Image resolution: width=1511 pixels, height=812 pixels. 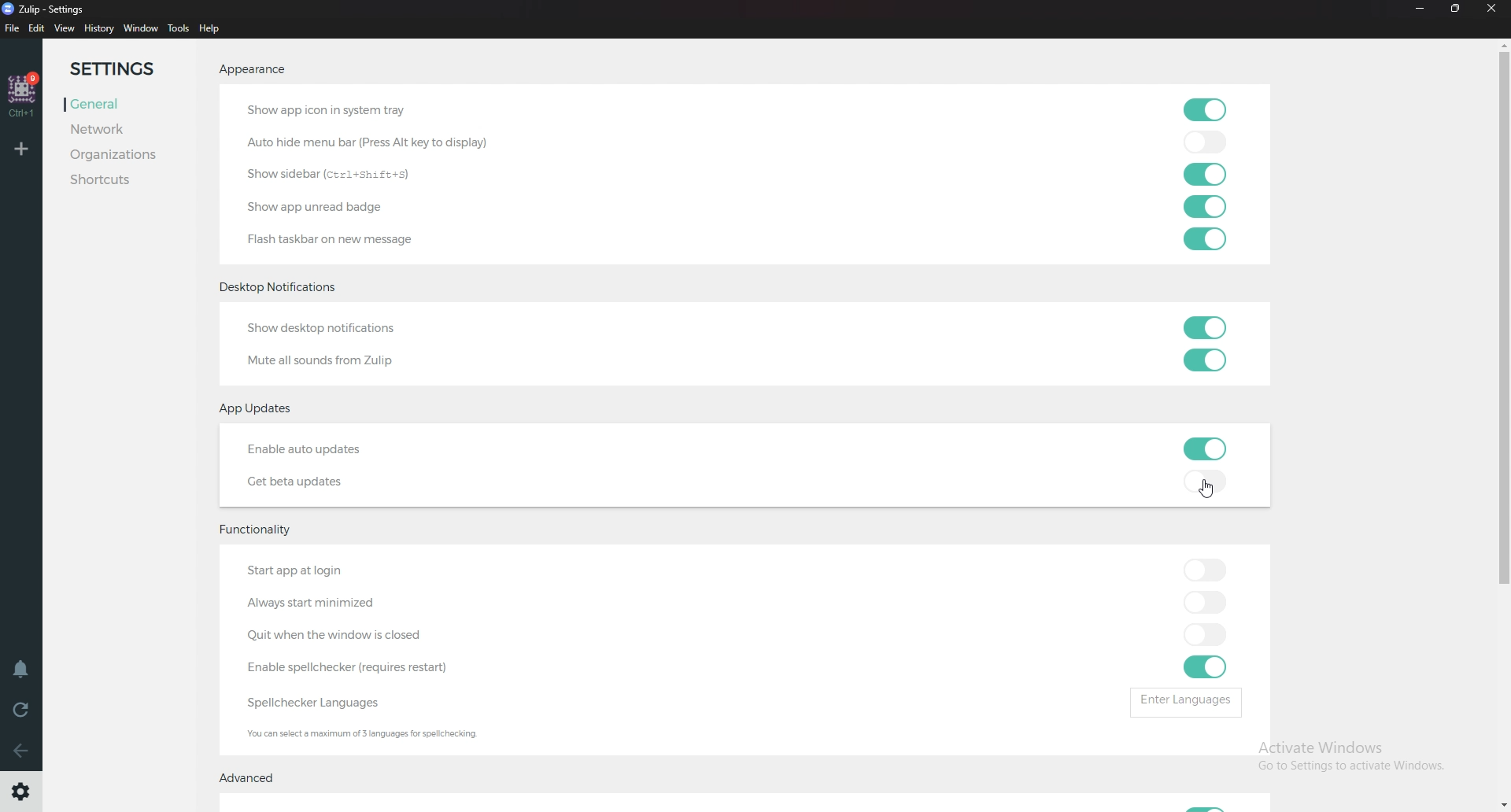 I want to click on autohide menu bar, so click(x=382, y=143).